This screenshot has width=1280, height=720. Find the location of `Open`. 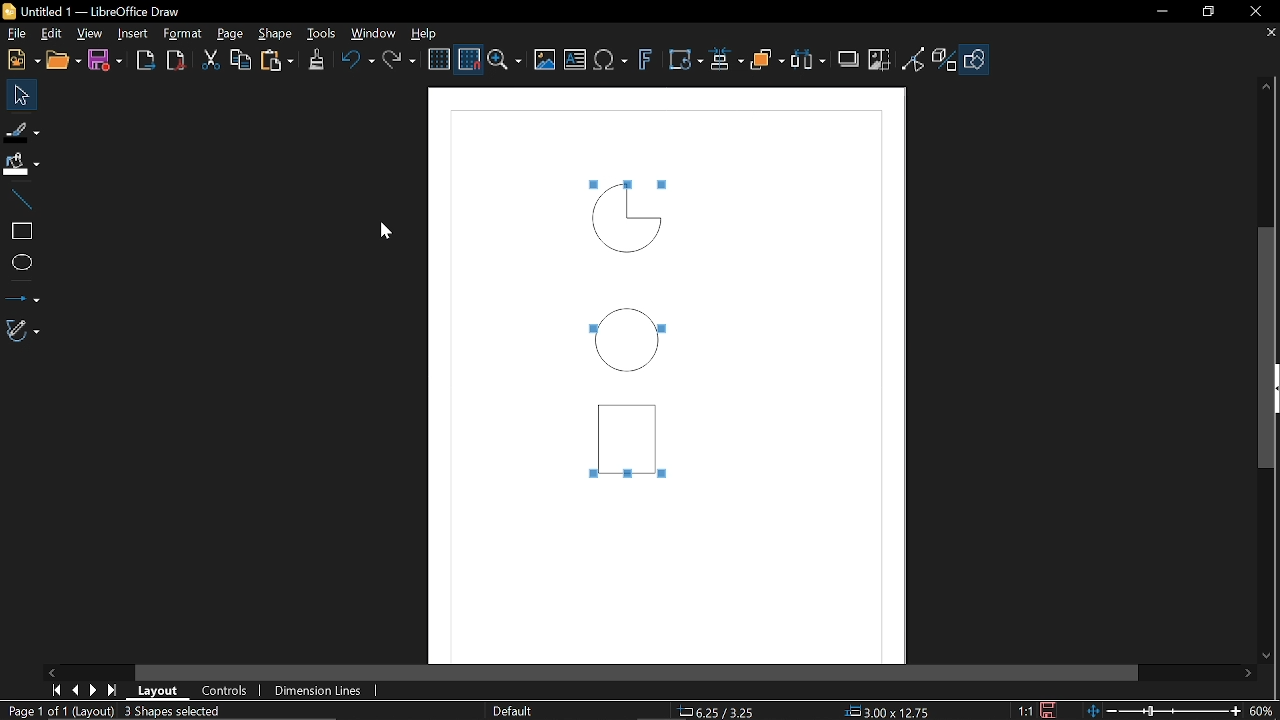

Open is located at coordinates (62, 61).